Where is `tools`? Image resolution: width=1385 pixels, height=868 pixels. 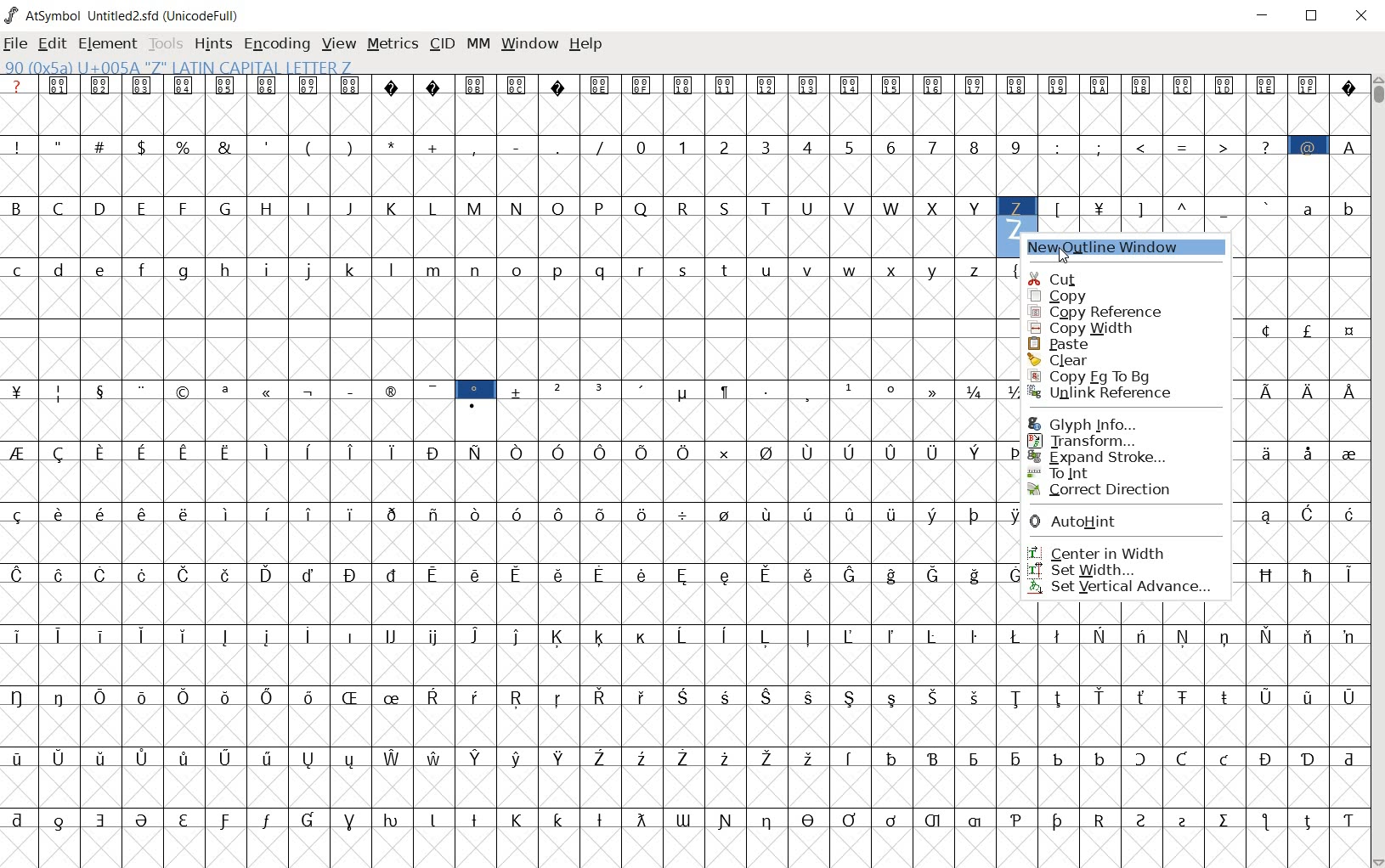 tools is located at coordinates (167, 42).